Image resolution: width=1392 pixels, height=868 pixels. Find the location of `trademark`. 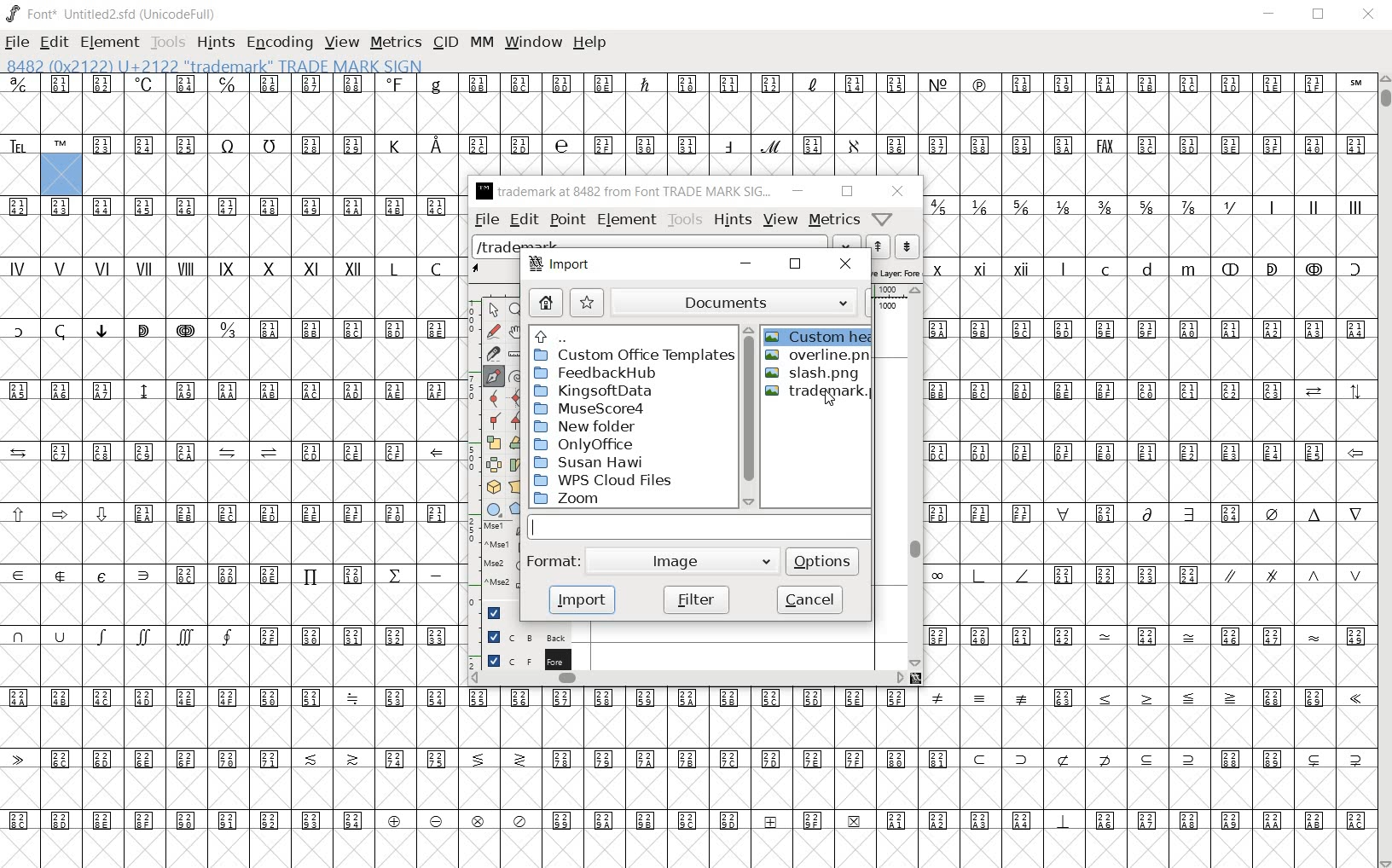

trademark is located at coordinates (820, 391).